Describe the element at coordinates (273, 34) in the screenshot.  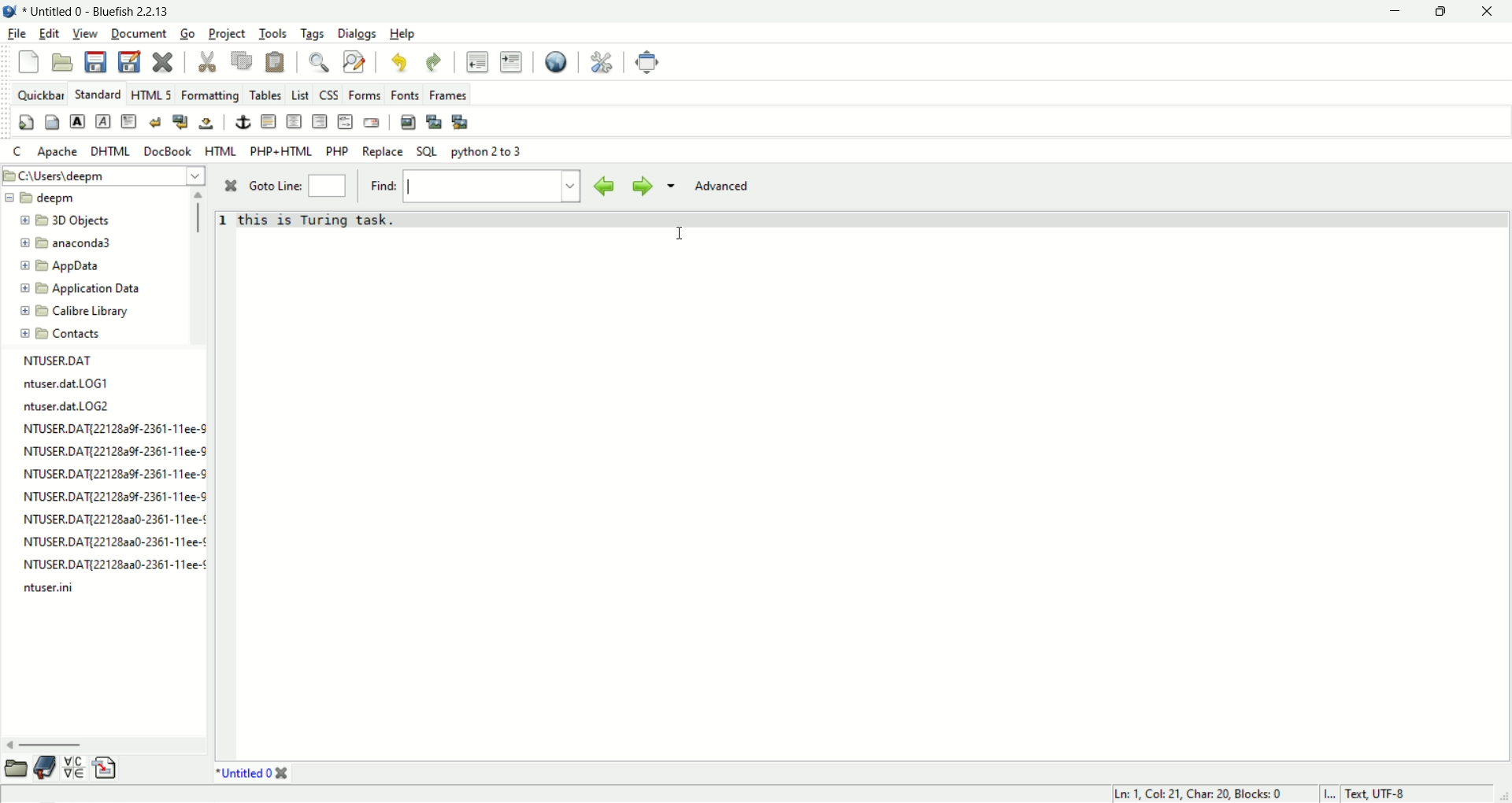
I see `tools` at that location.